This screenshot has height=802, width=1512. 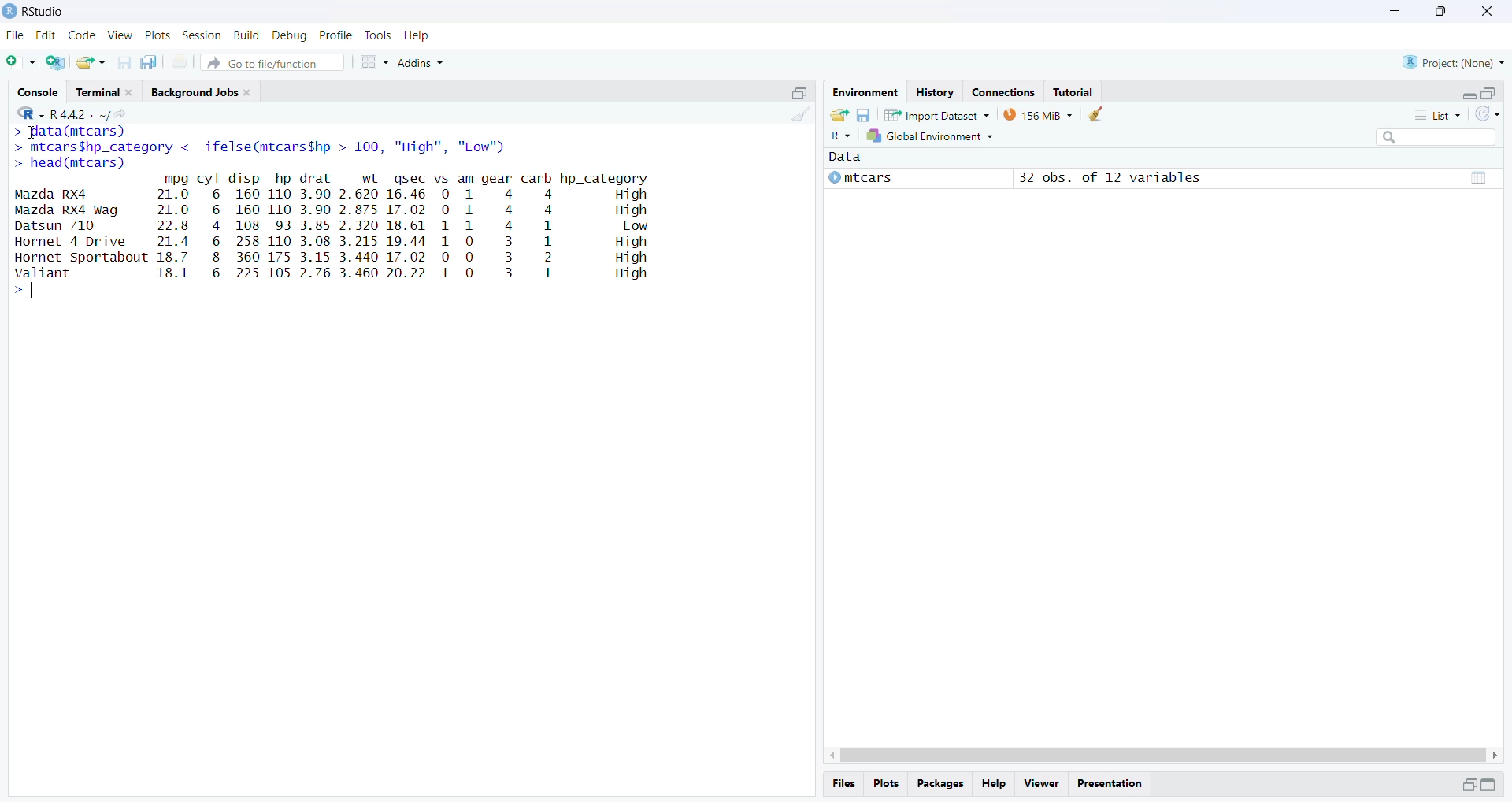 I want to click on RStudio, so click(x=42, y=12).